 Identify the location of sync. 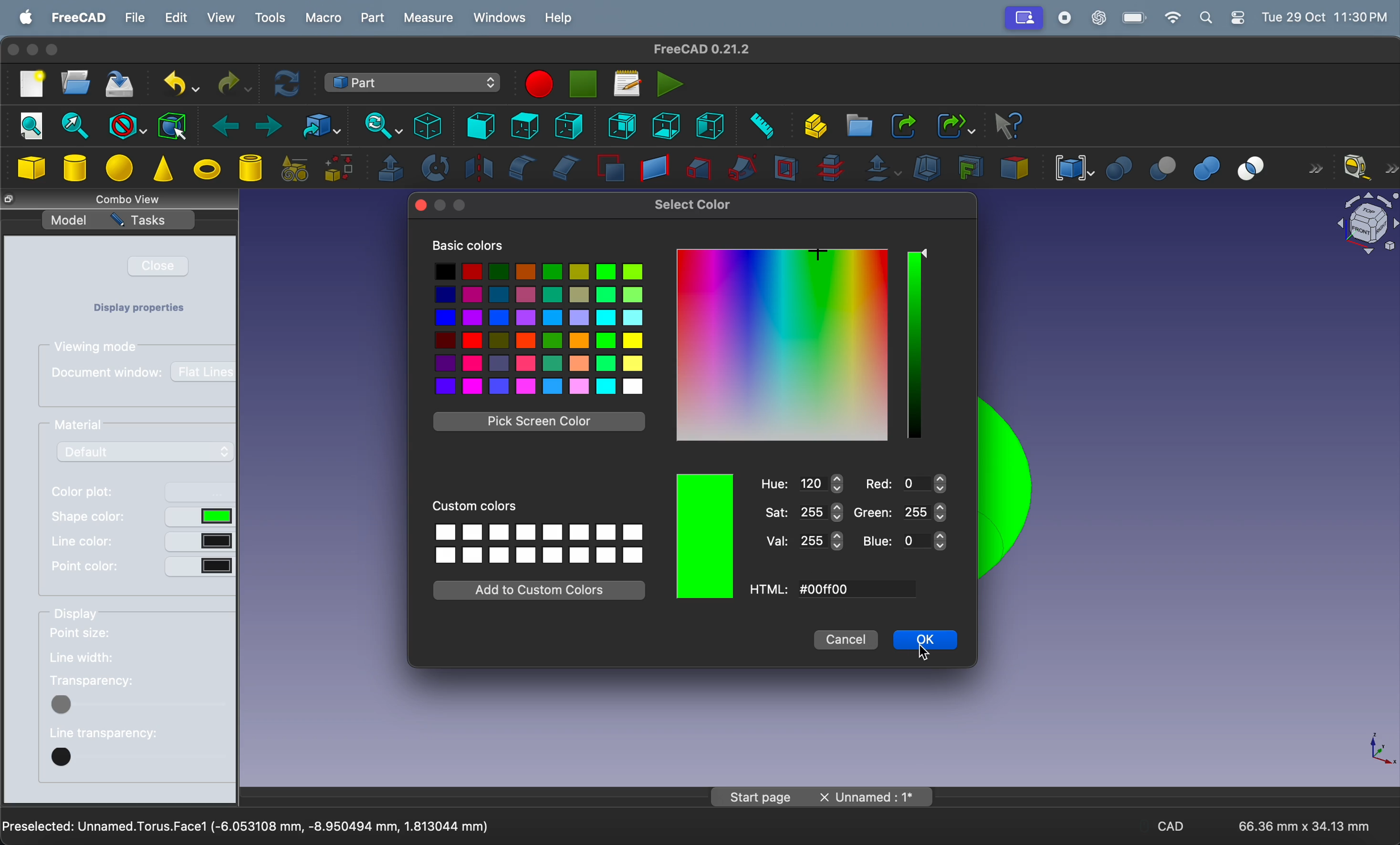
(377, 124).